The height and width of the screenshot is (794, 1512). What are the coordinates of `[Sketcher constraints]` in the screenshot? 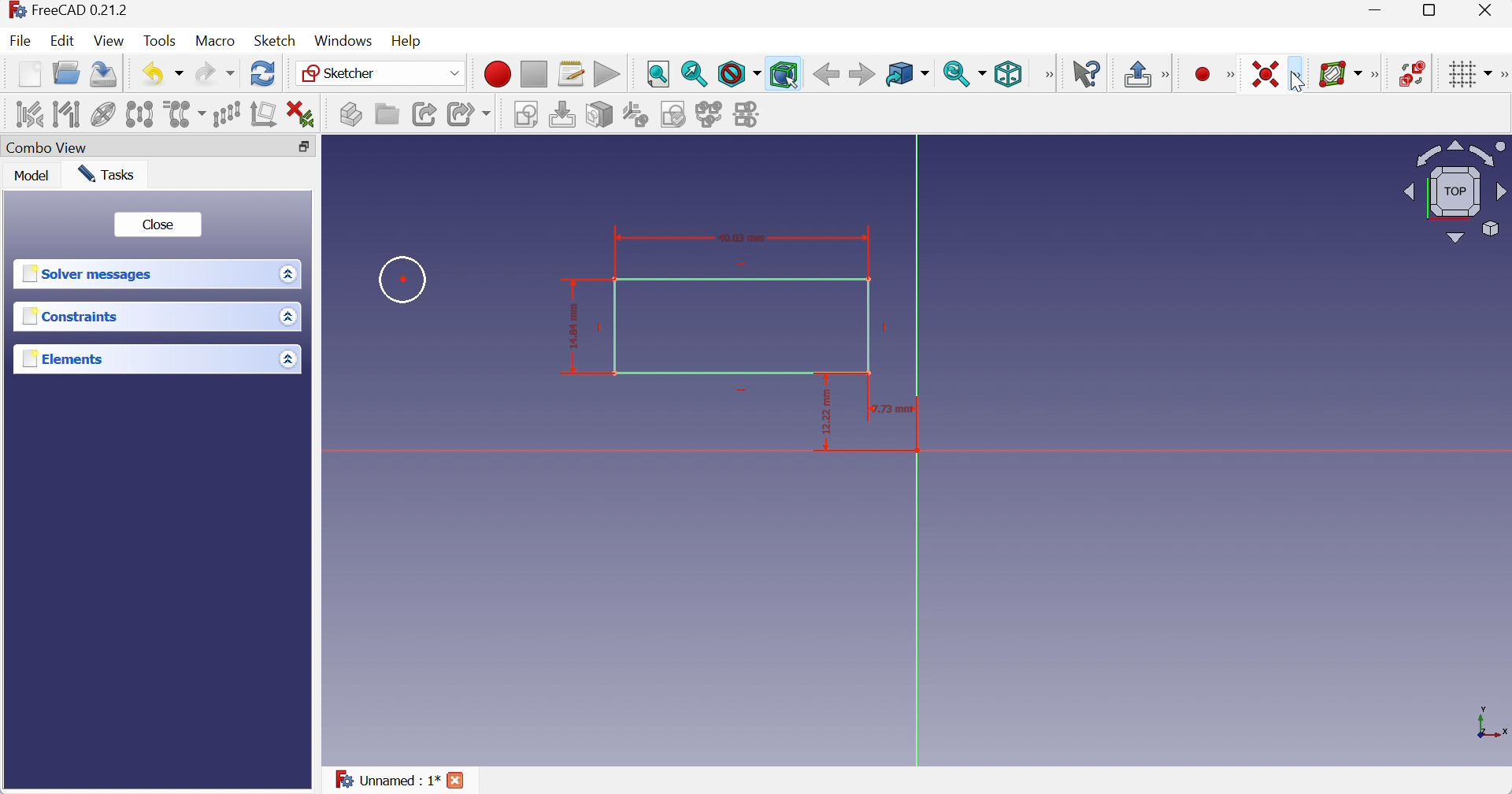 It's located at (1299, 74).